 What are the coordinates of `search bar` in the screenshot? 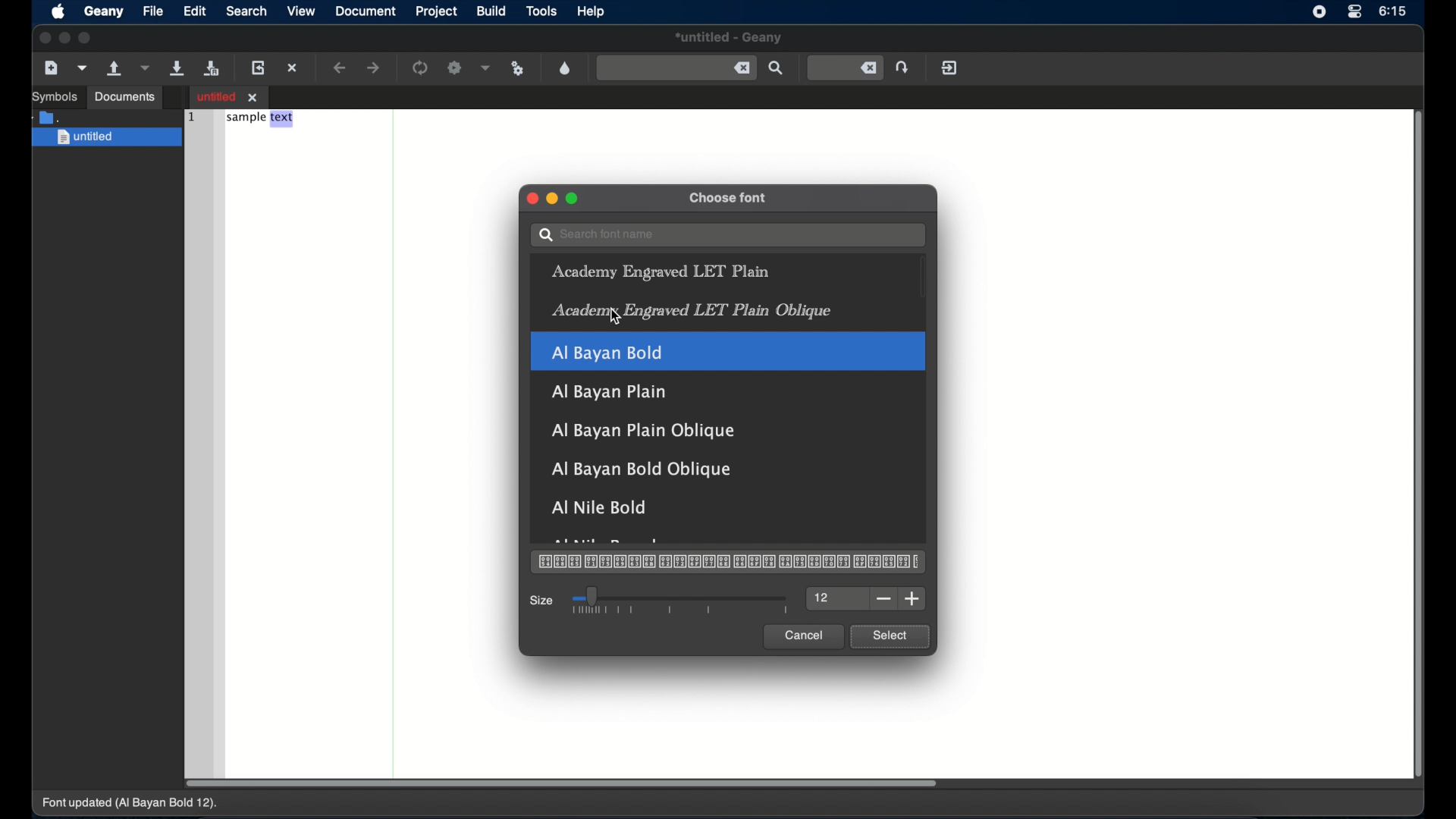 It's located at (727, 235).